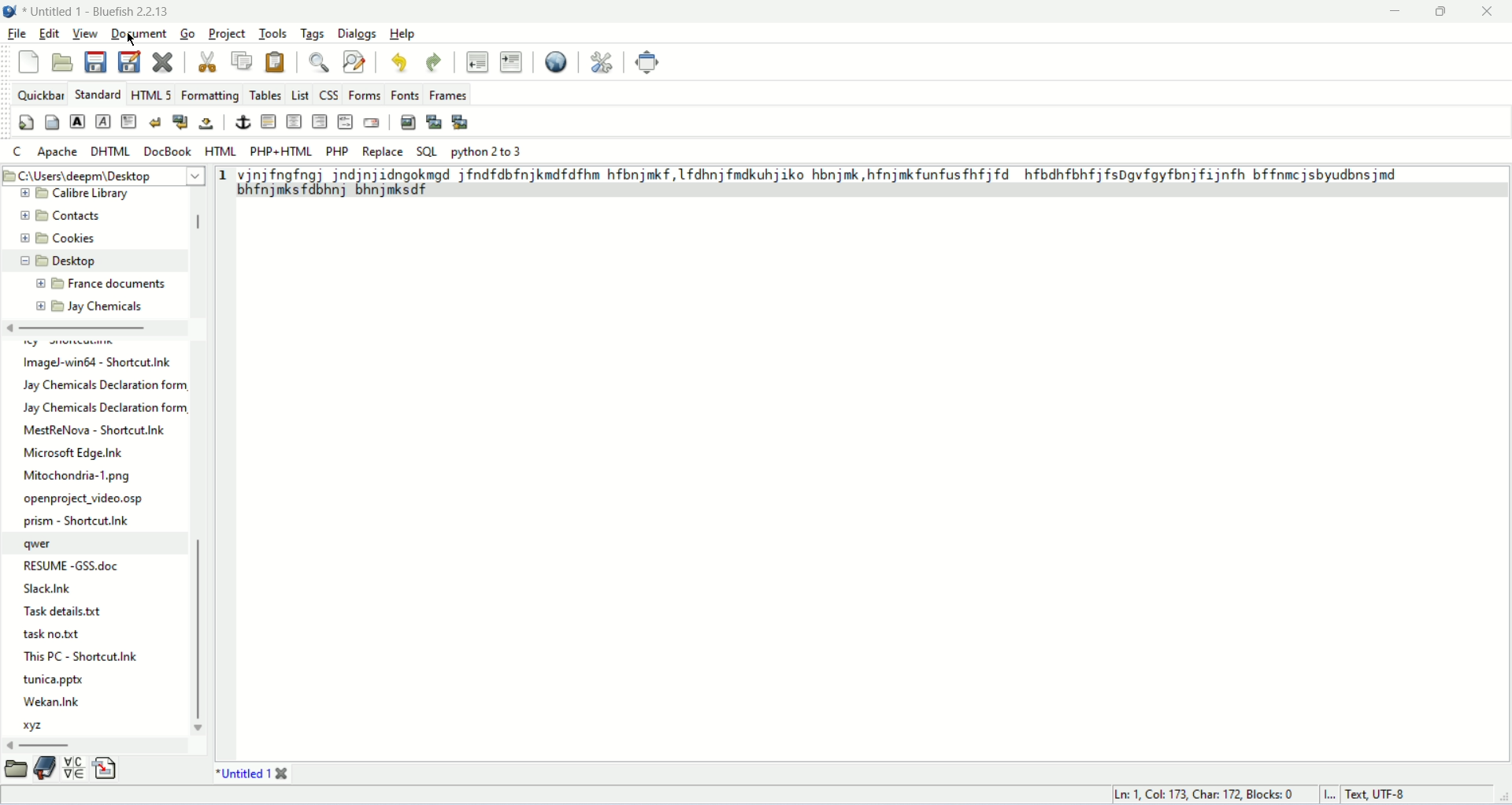 The height and width of the screenshot is (805, 1512). Describe the element at coordinates (320, 62) in the screenshot. I see `show find bar` at that location.